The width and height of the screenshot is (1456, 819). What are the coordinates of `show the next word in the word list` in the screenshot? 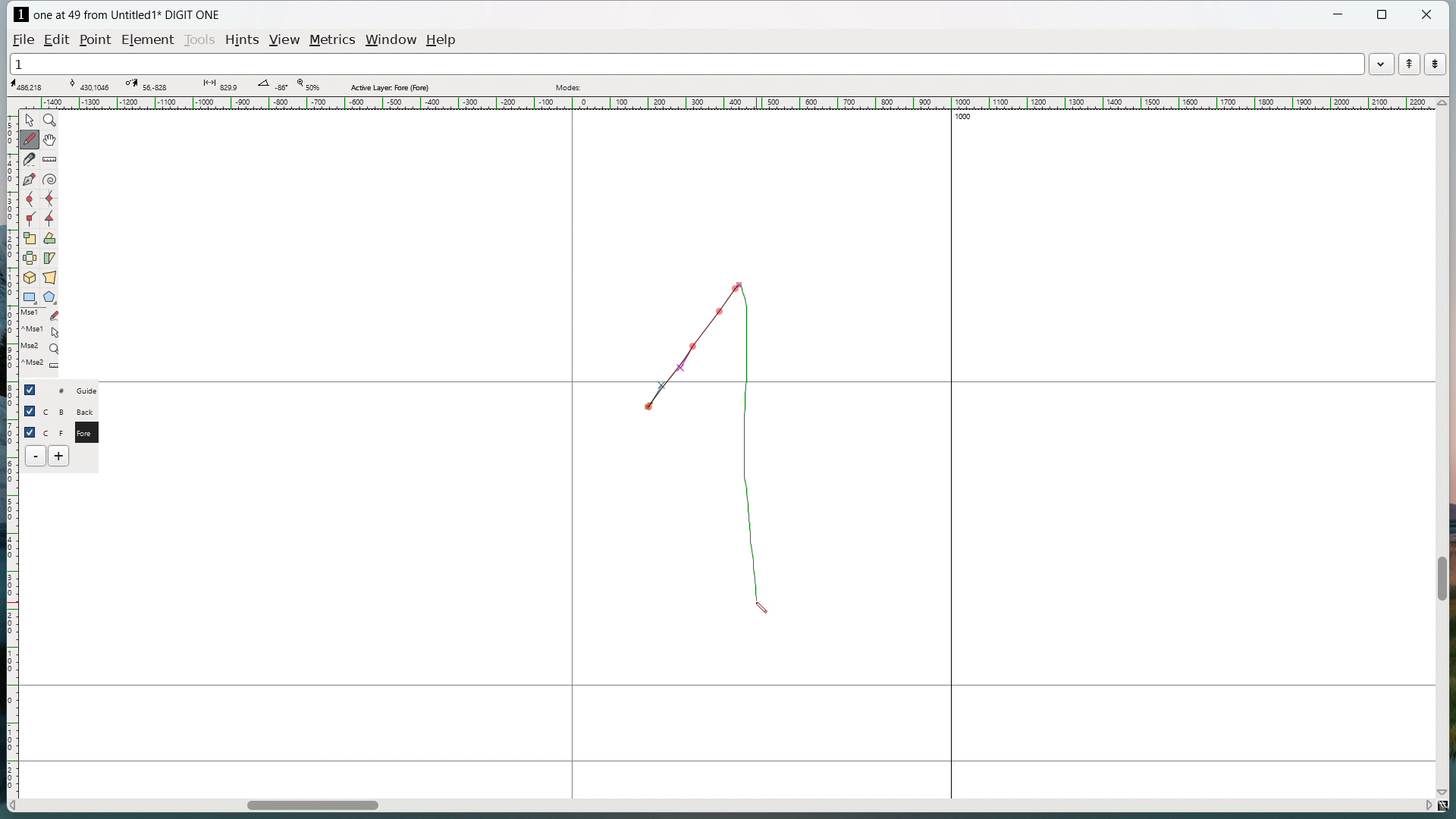 It's located at (1436, 64).